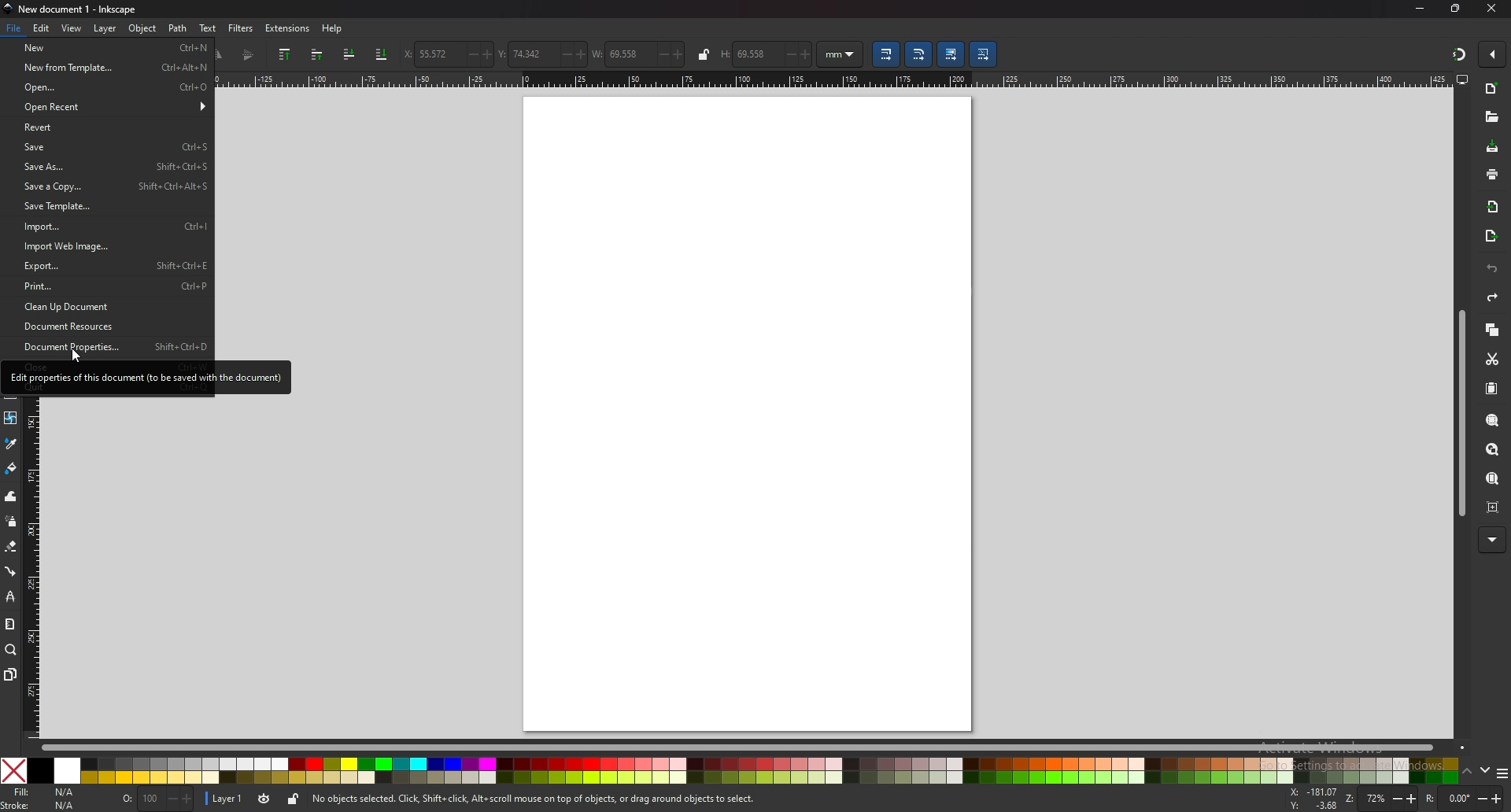 This screenshot has height=812, width=1511. Describe the element at coordinates (1462, 414) in the screenshot. I see `scroll bar` at that location.